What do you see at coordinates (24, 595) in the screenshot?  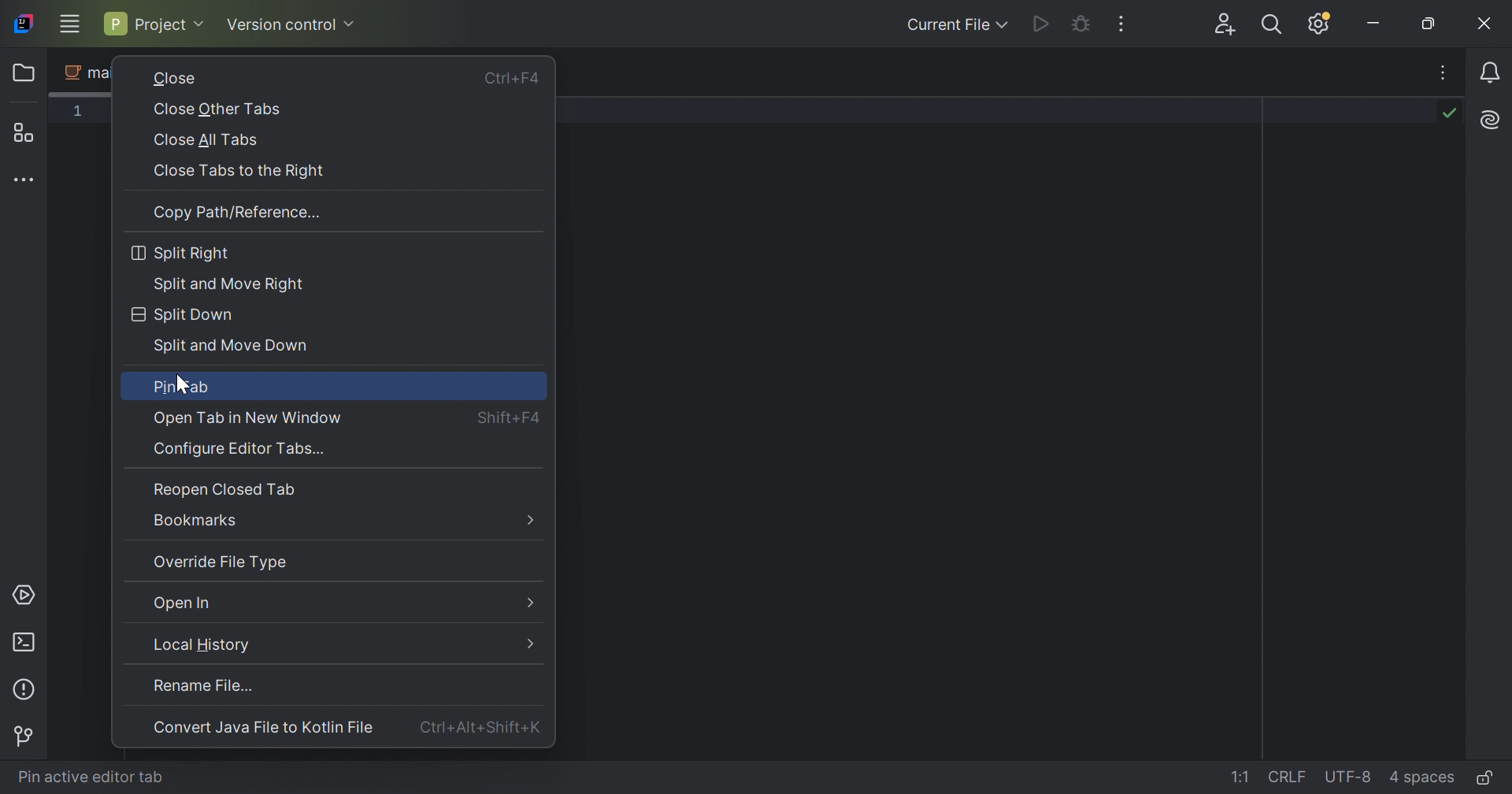 I see `Services` at bounding box center [24, 595].